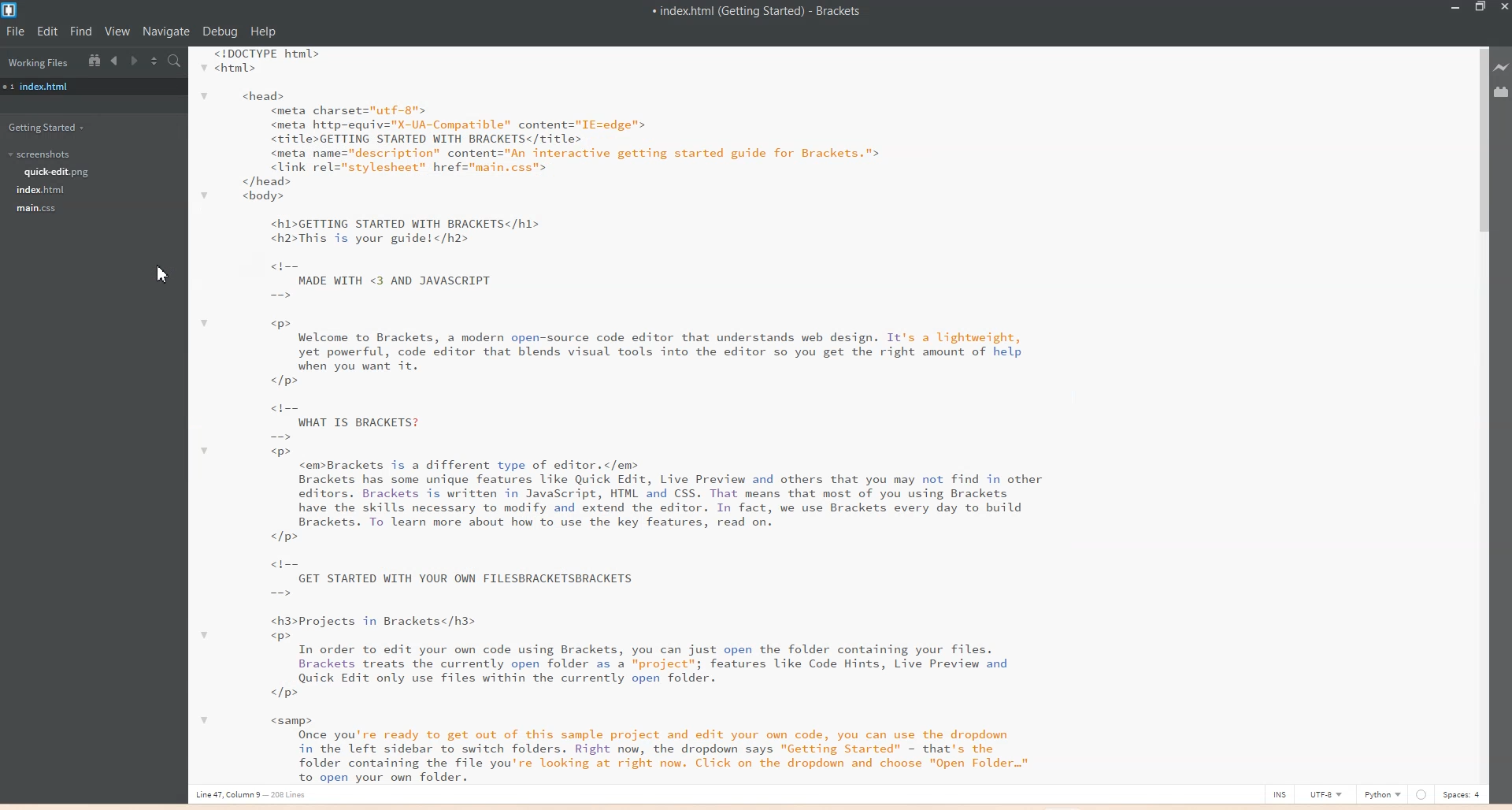 This screenshot has width=1512, height=810. Describe the element at coordinates (47, 32) in the screenshot. I see `Edit` at that location.